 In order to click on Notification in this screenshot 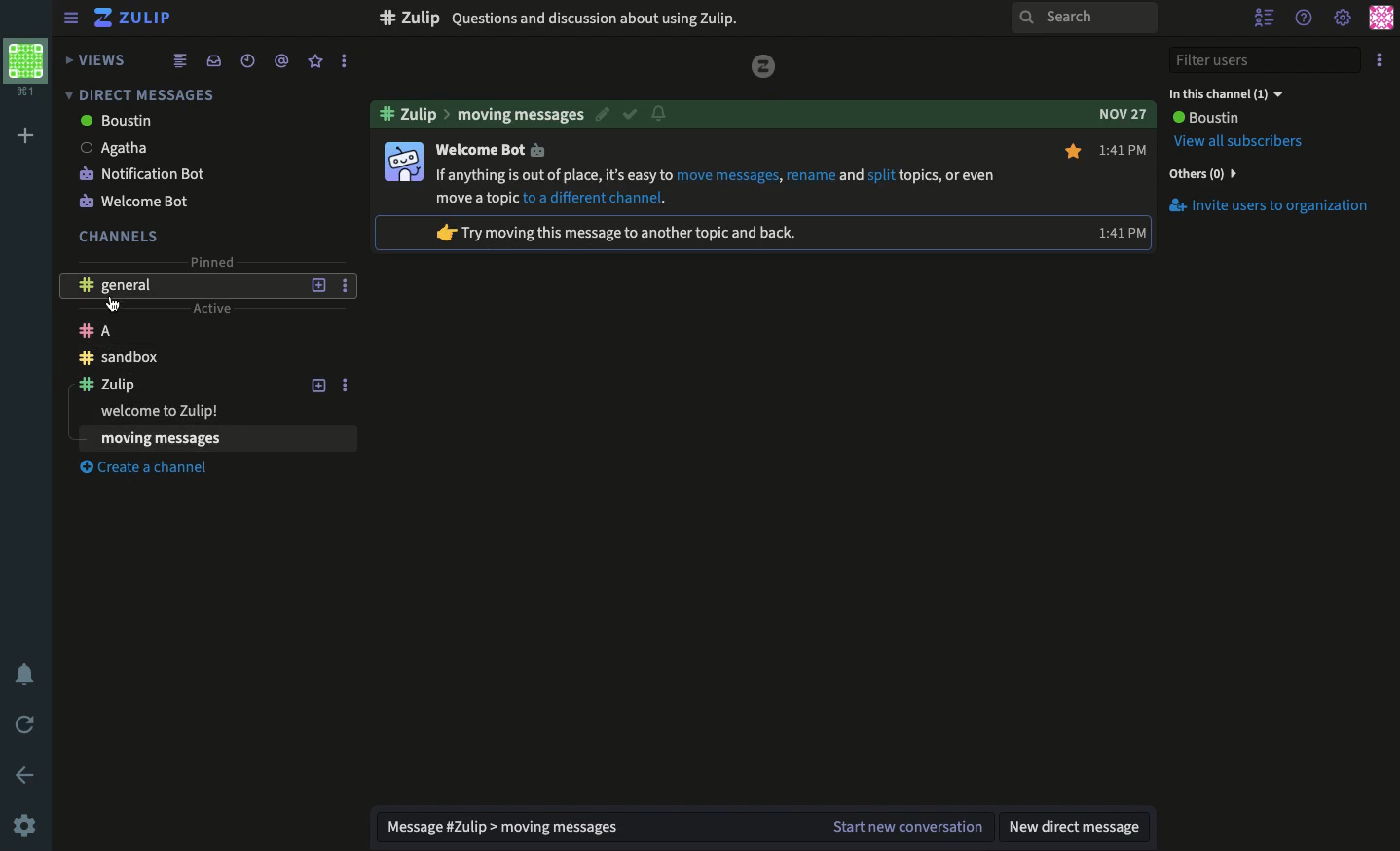, I will do `click(27, 677)`.